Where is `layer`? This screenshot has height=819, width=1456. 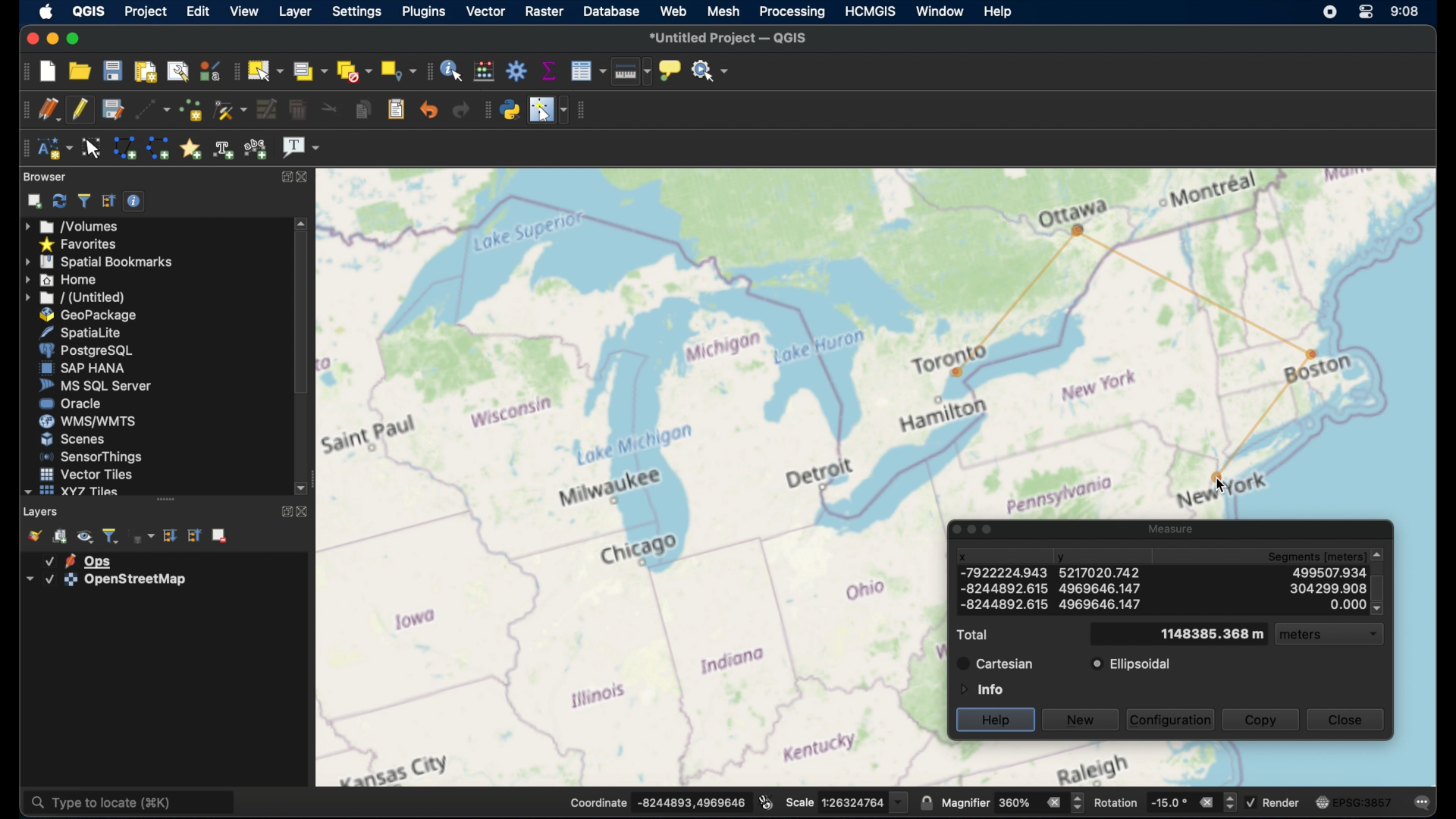
layer is located at coordinates (293, 11).